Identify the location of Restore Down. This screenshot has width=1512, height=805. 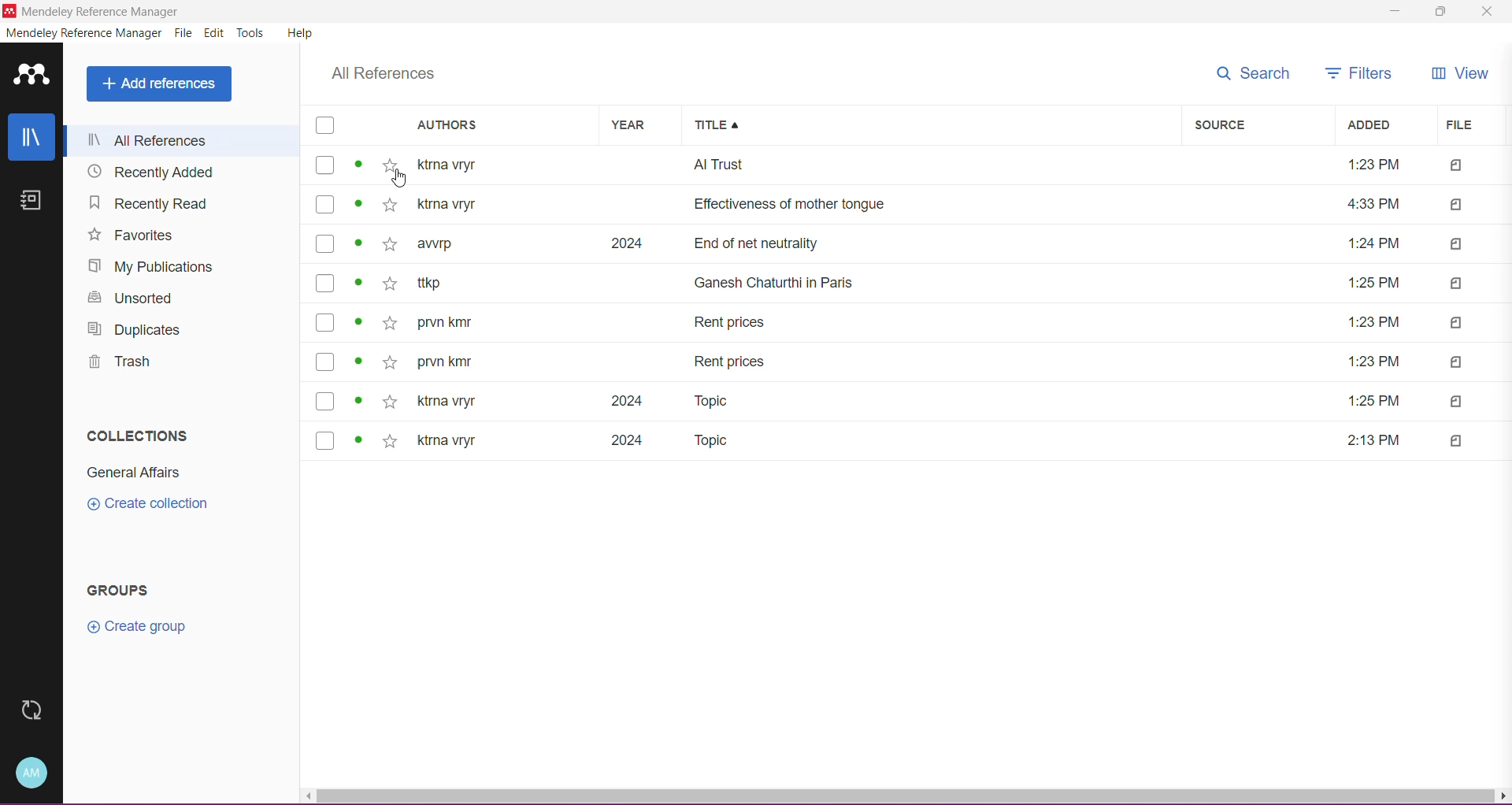
(1440, 13).